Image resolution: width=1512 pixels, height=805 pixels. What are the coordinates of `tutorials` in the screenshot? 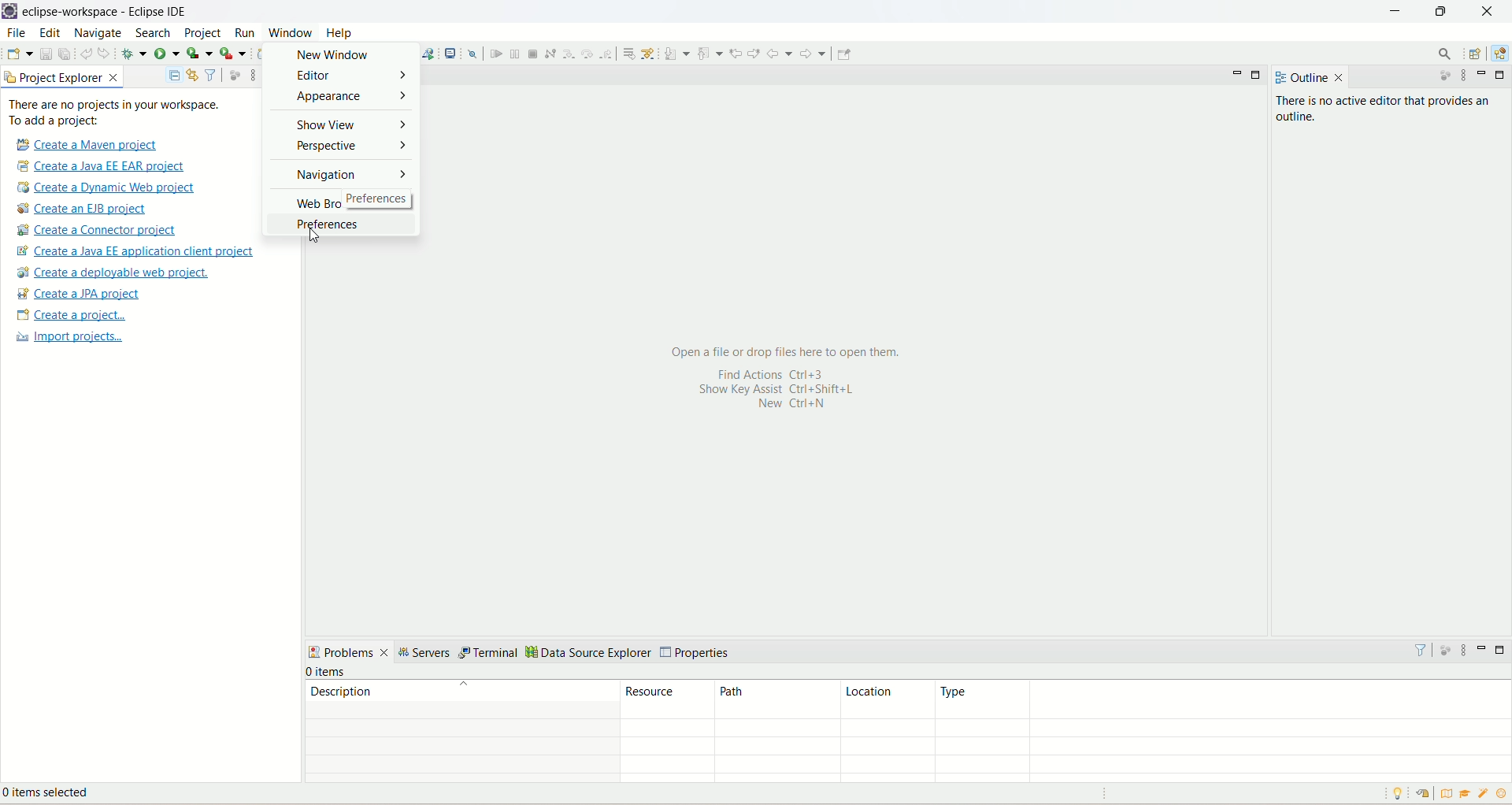 It's located at (1467, 794).